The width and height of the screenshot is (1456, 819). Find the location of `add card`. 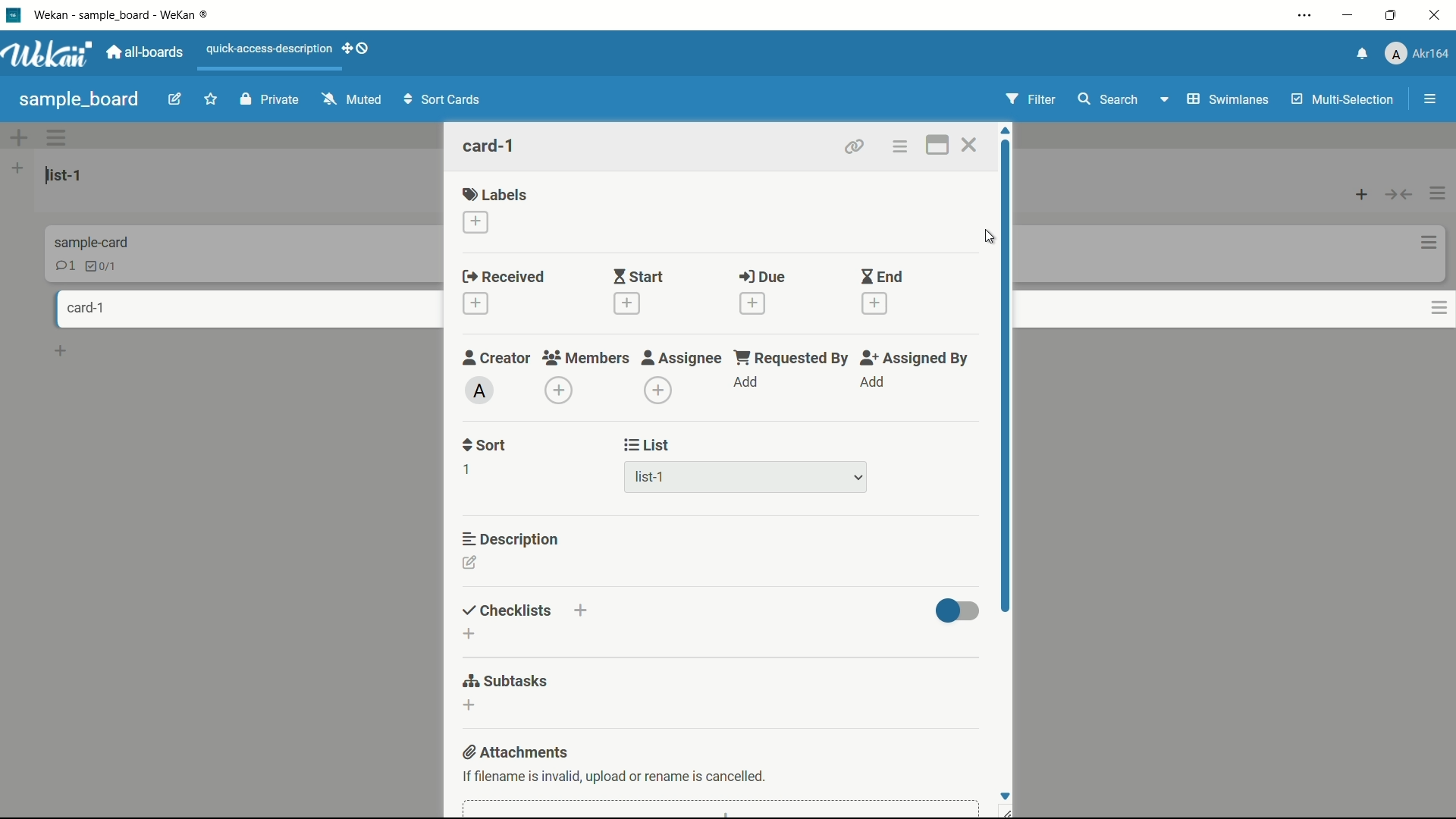

add card is located at coordinates (62, 351).